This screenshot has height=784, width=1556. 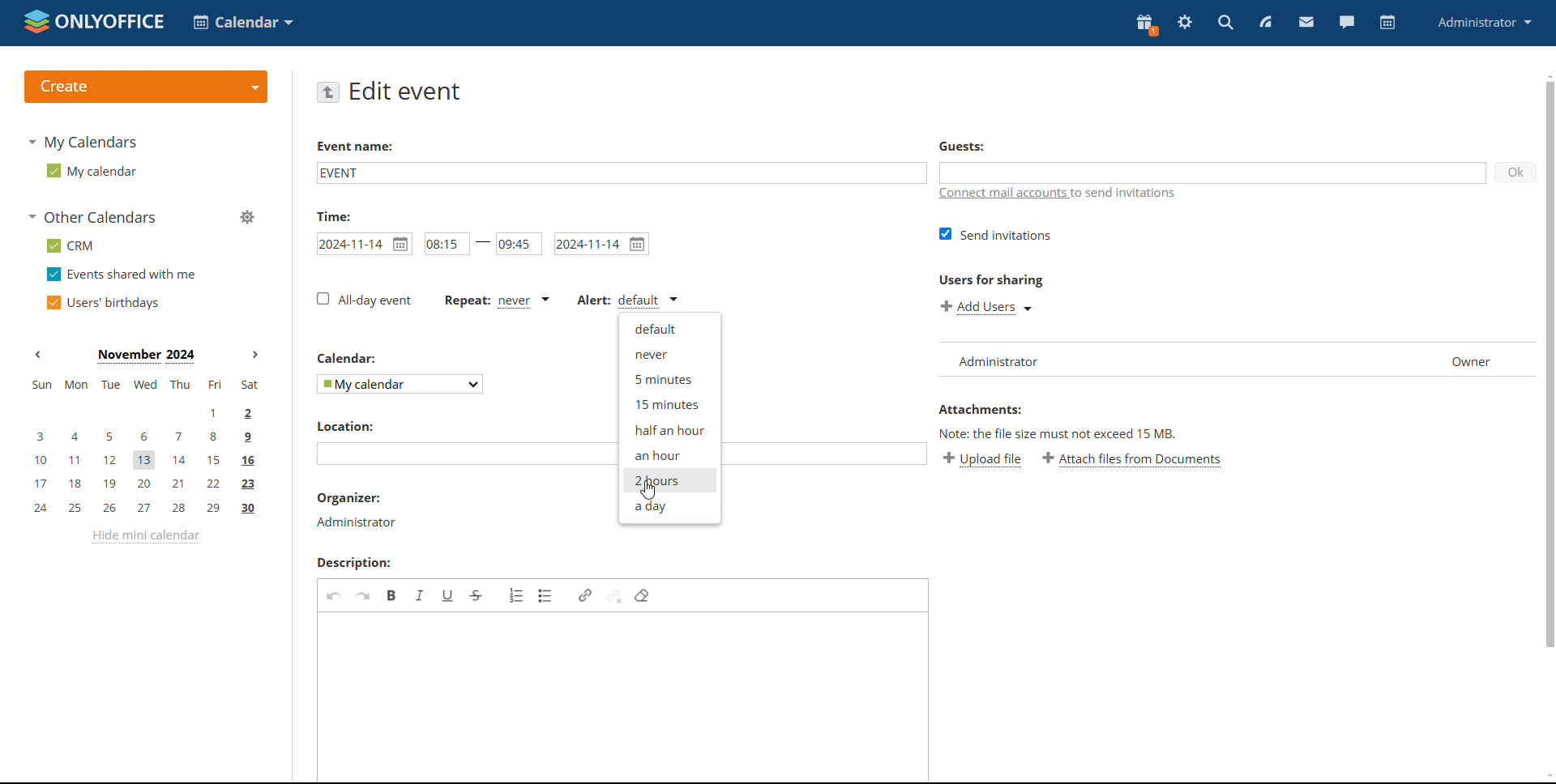 I want to click on users' birthdays, so click(x=101, y=302).